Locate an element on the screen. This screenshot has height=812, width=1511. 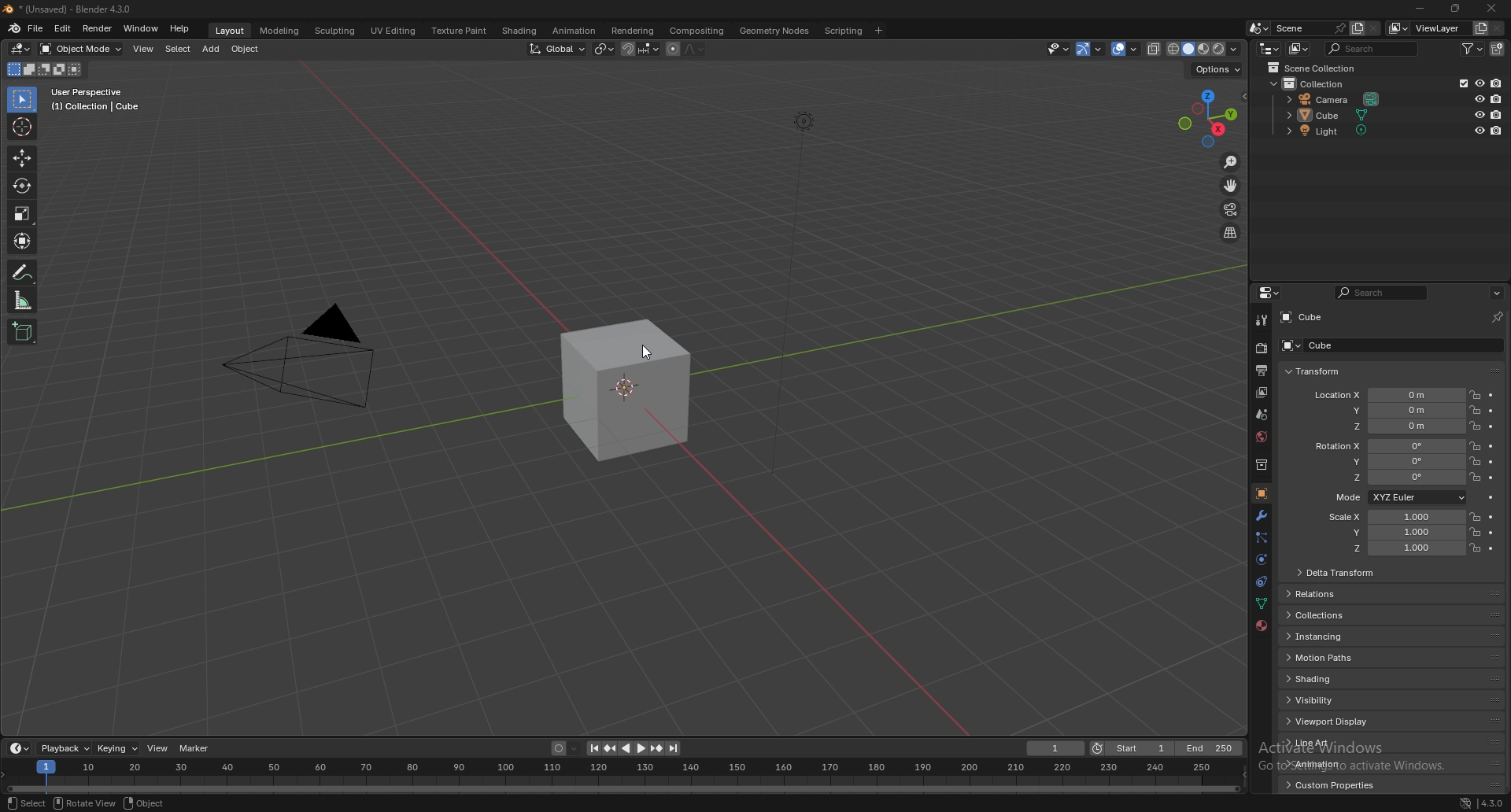
modeling is located at coordinates (281, 31).